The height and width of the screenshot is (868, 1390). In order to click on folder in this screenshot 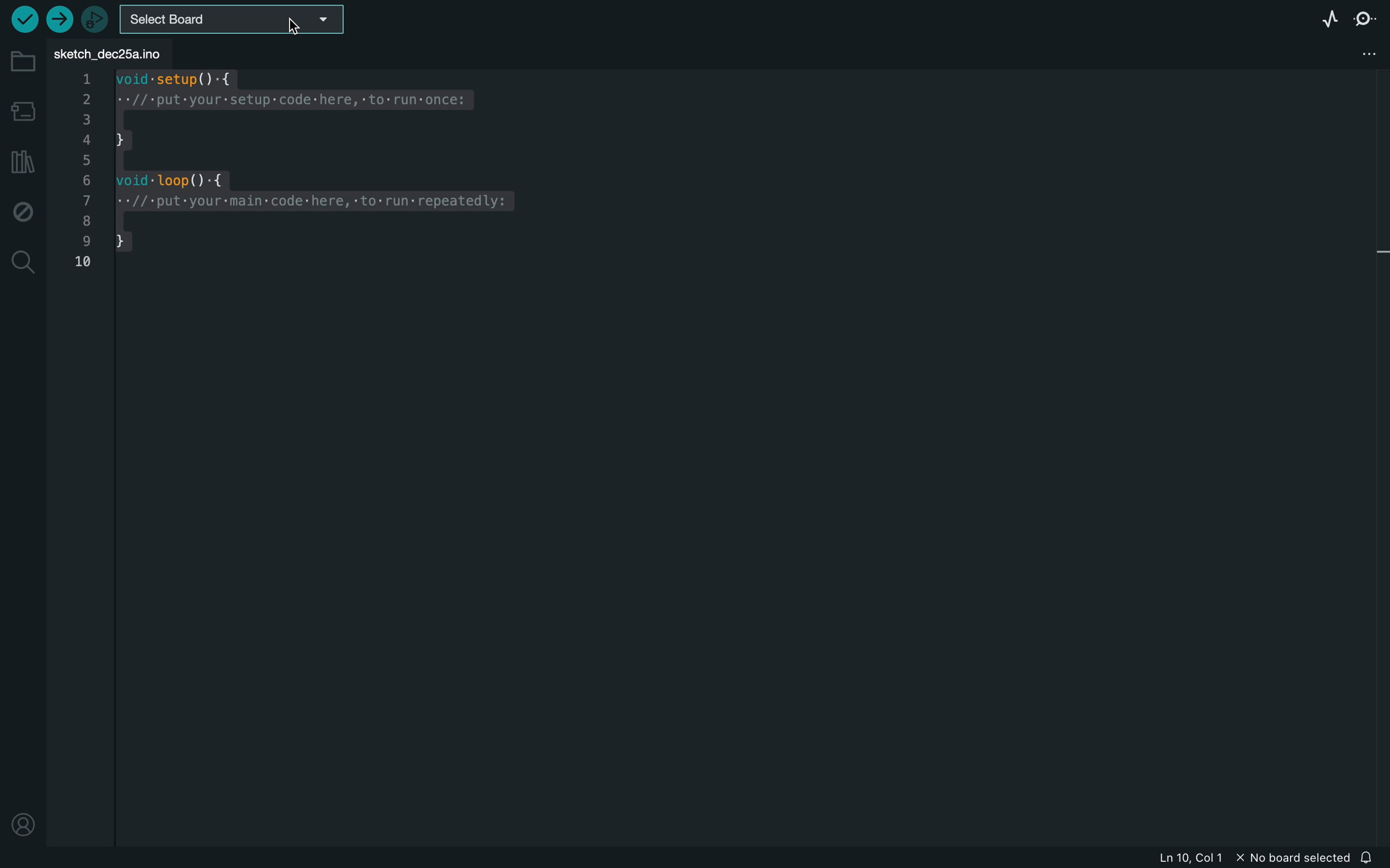, I will do `click(23, 63)`.